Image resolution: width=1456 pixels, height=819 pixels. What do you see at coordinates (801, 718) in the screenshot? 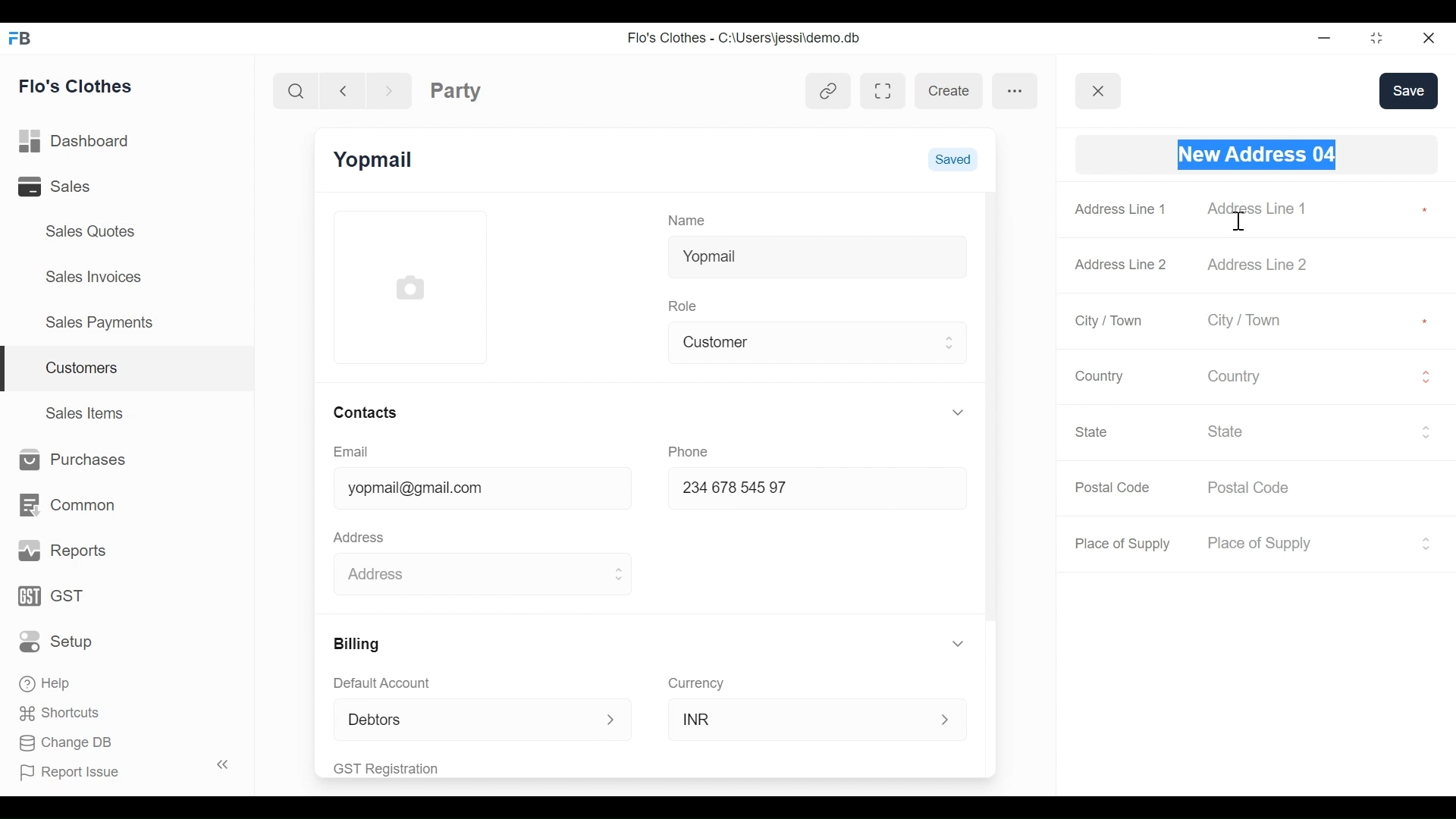
I see `INR` at bounding box center [801, 718].